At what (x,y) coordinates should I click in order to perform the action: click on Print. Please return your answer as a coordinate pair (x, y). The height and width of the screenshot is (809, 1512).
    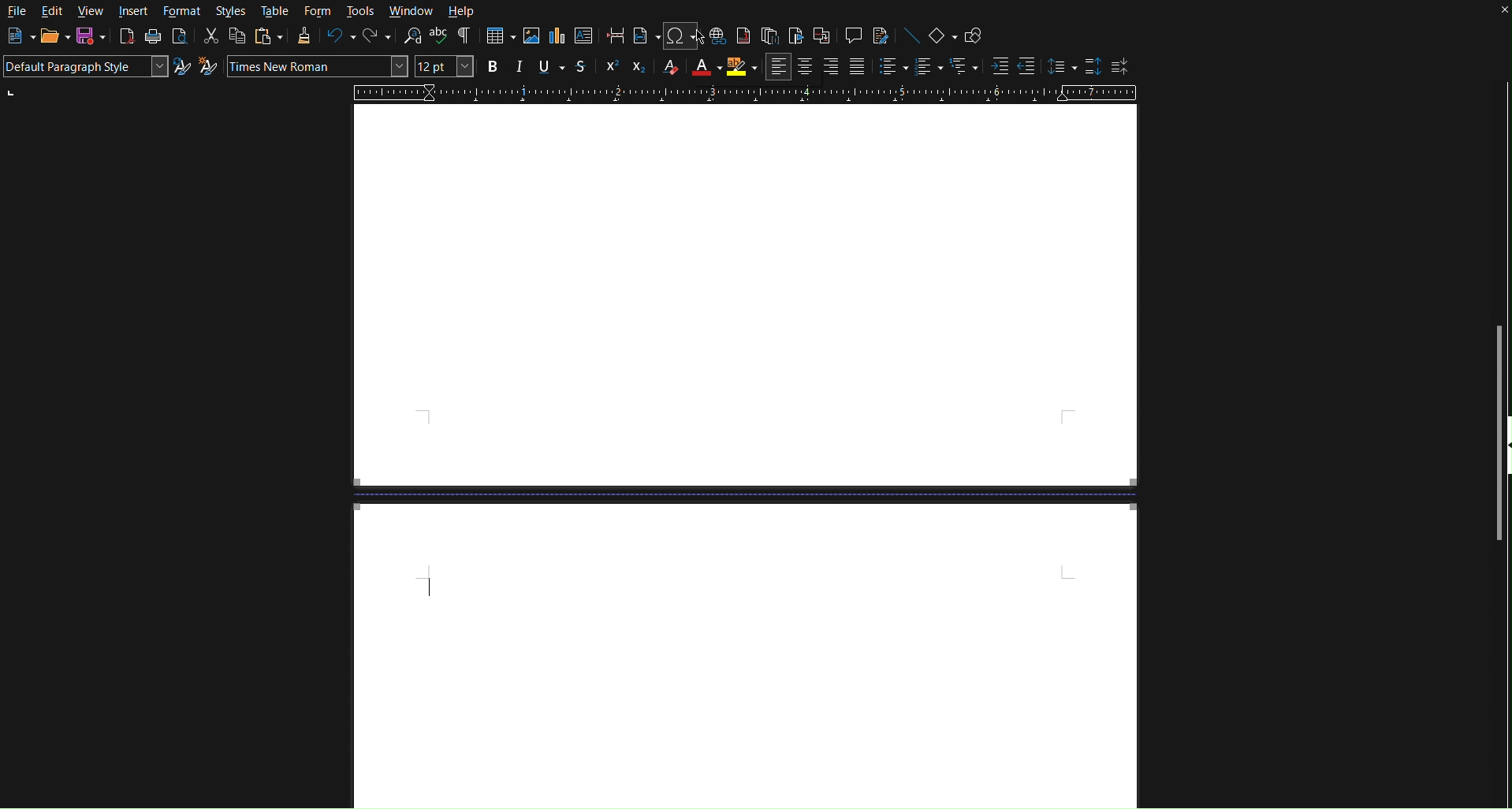
    Looking at the image, I should click on (153, 38).